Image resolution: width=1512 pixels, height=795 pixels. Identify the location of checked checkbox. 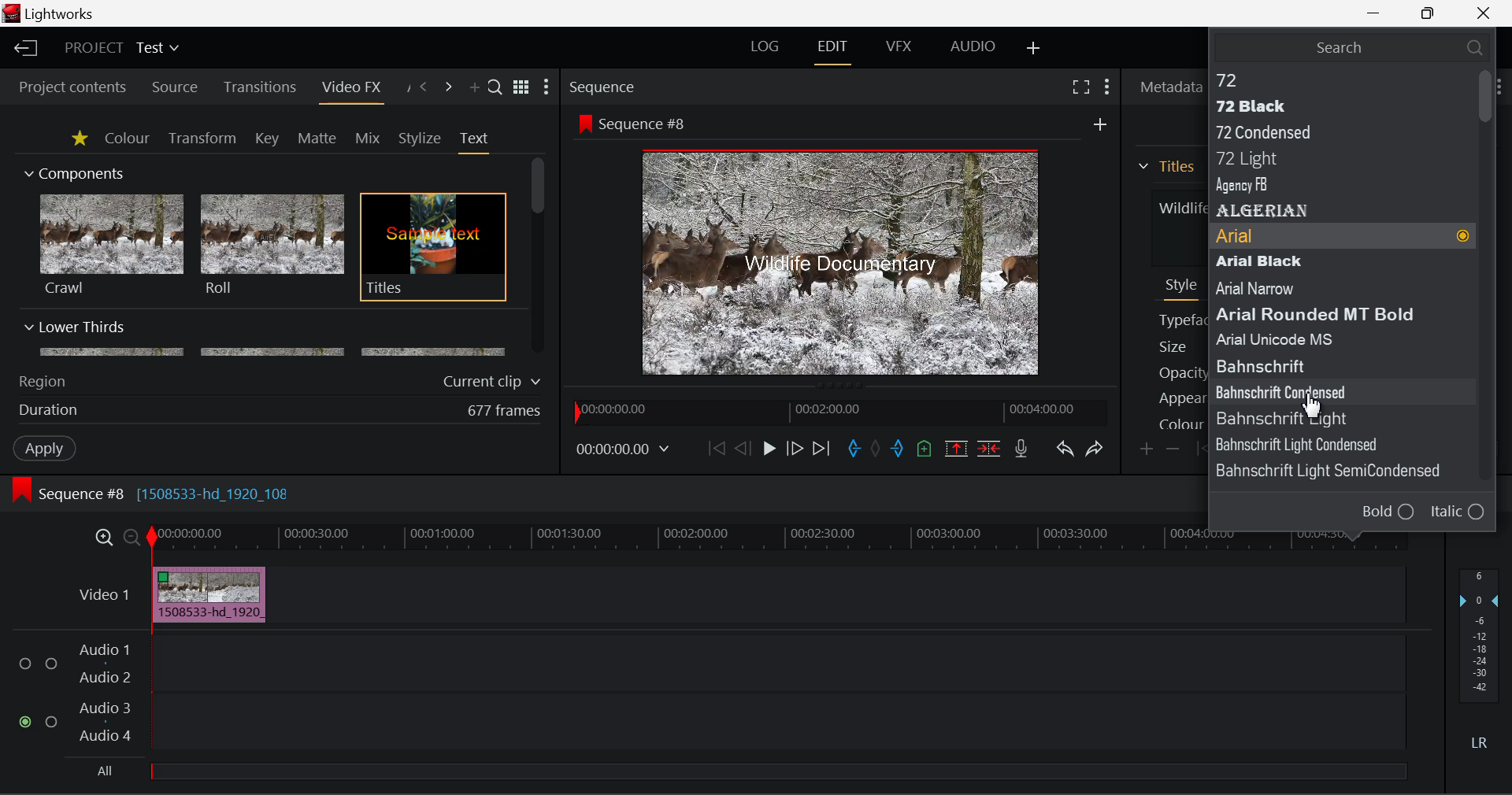
(28, 723).